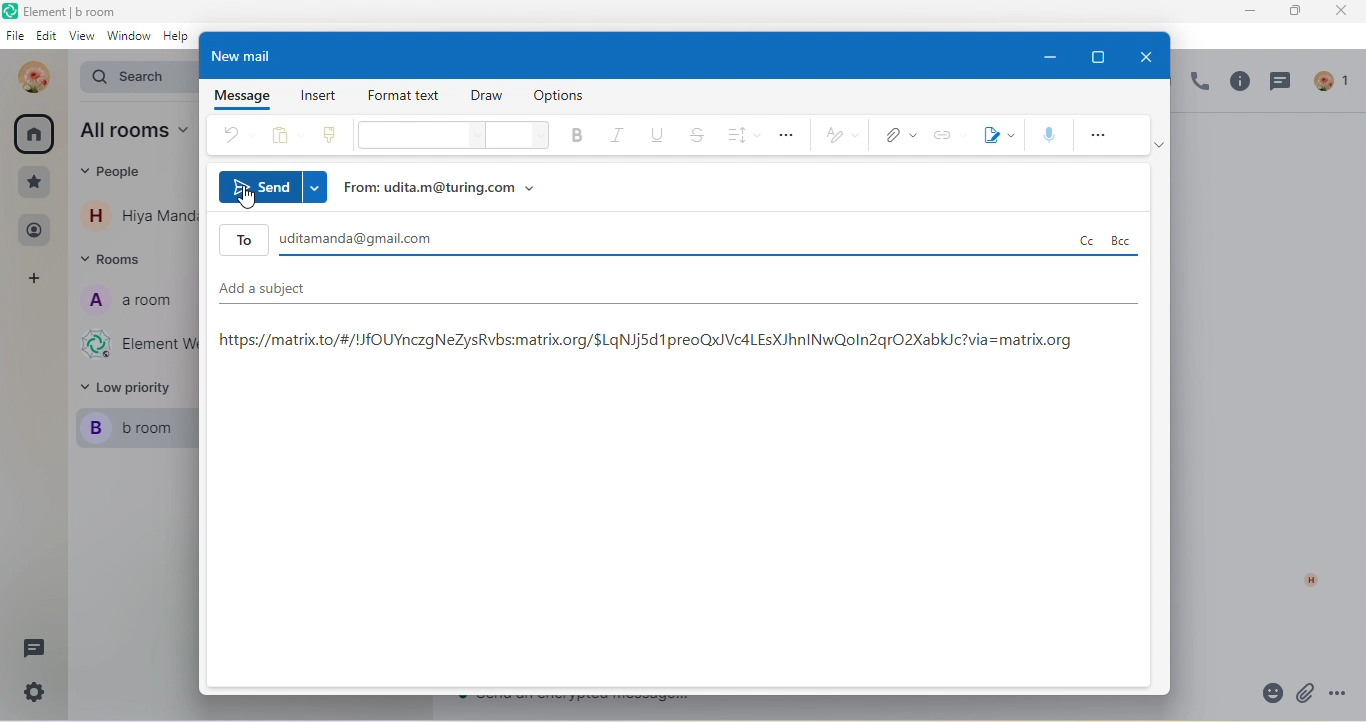 The width and height of the screenshot is (1366, 722). I want to click on clone, so click(330, 138).